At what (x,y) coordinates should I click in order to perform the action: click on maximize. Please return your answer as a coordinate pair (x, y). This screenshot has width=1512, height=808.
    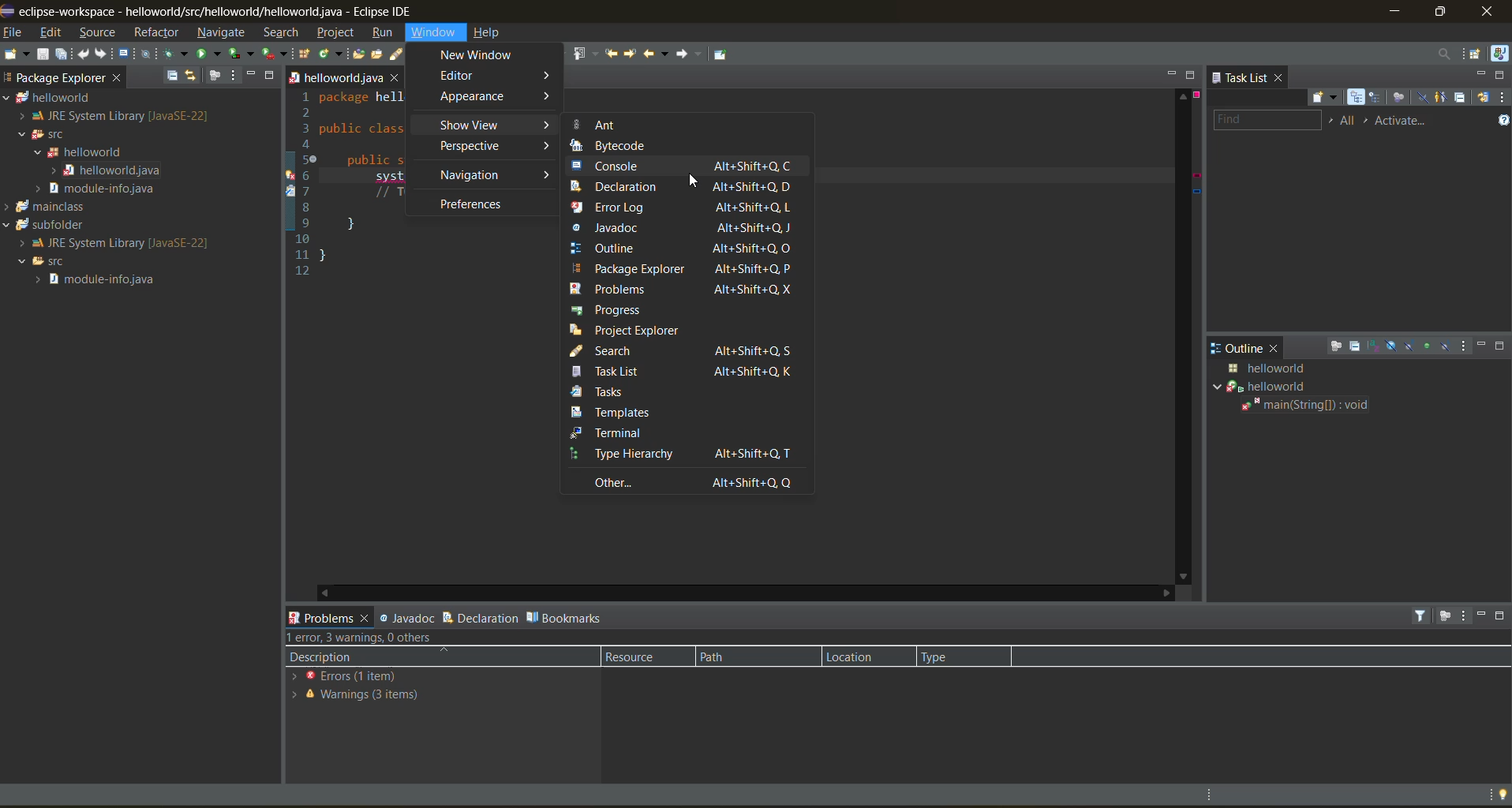
    Looking at the image, I should click on (1503, 77).